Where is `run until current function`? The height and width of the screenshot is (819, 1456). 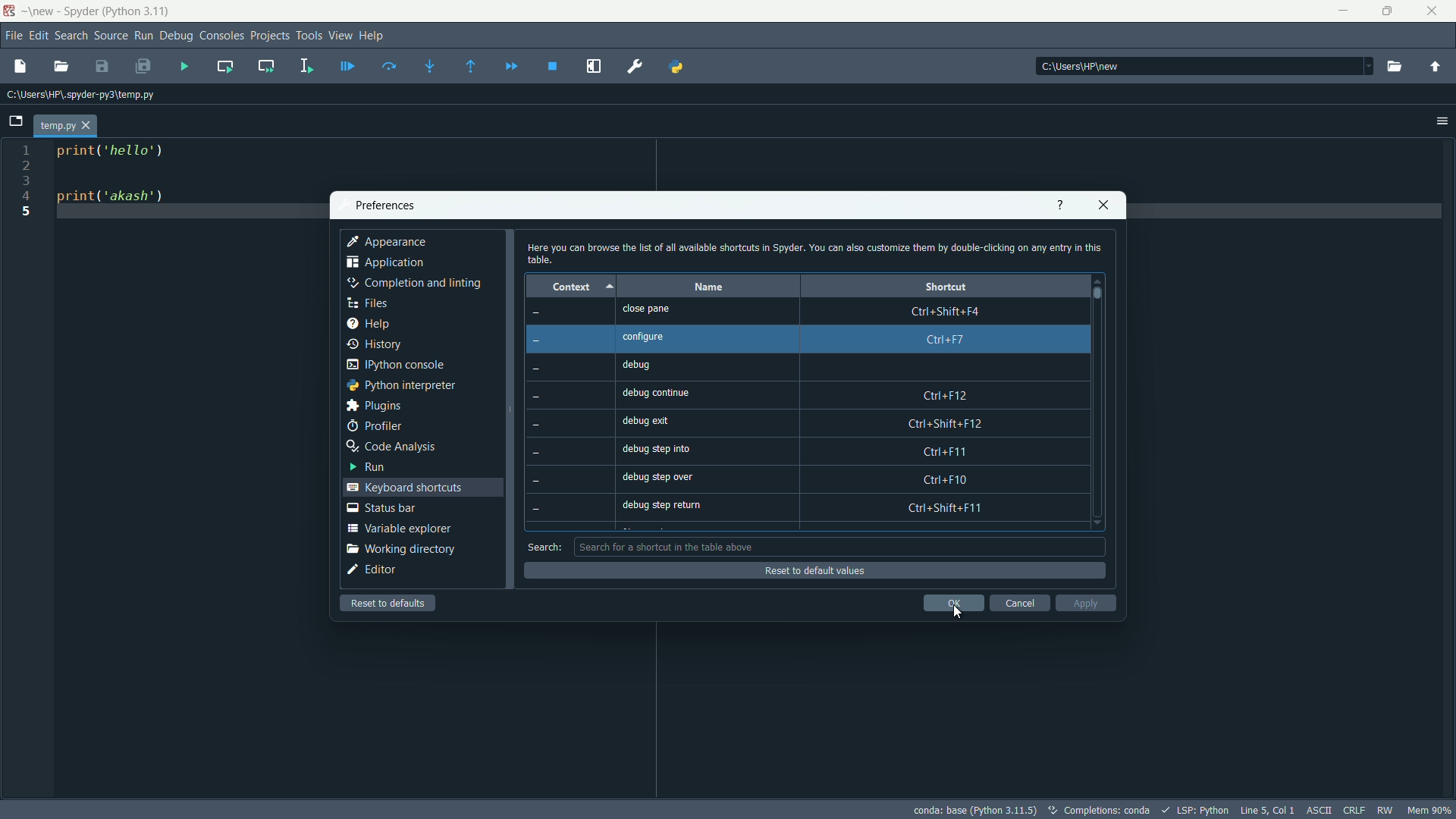 run until current function is located at coordinates (471, 67).